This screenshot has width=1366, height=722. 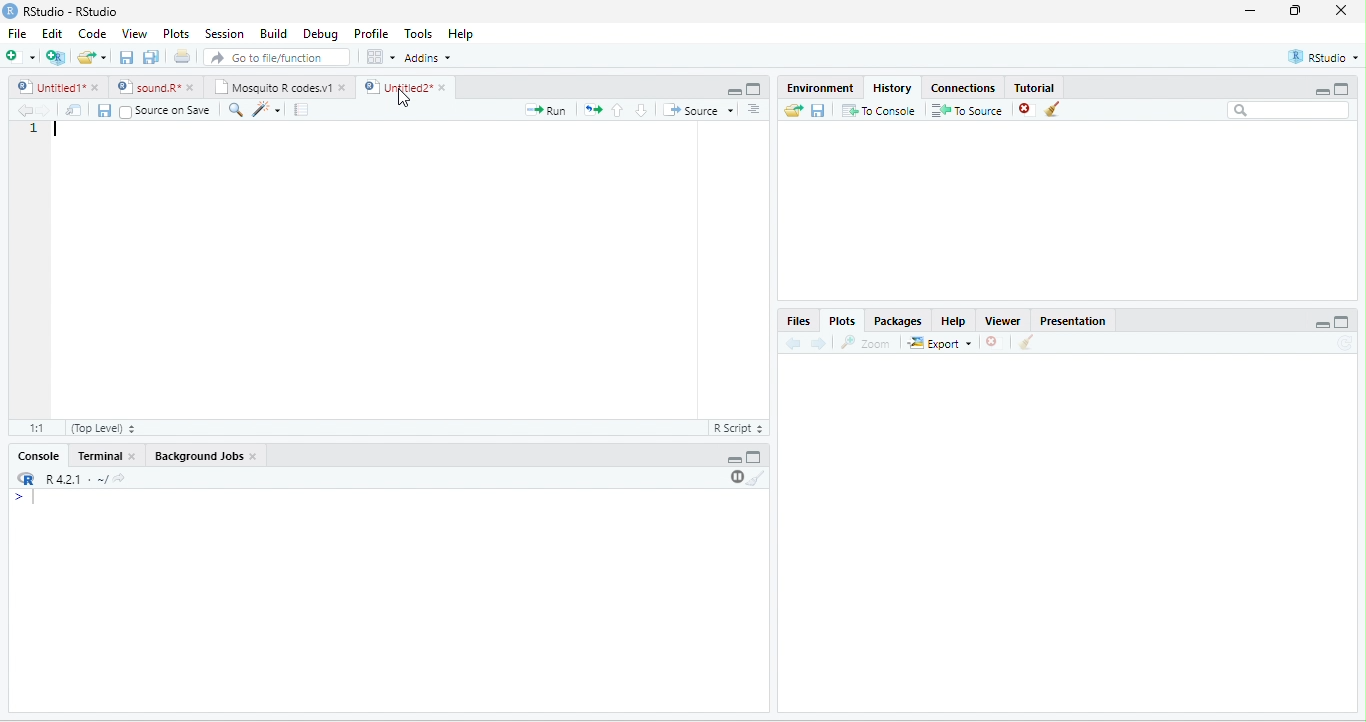 What do you see at coordinates (1341, 322) in the screenshot?
I see `Maximize` at bounding box center [1341, 322].